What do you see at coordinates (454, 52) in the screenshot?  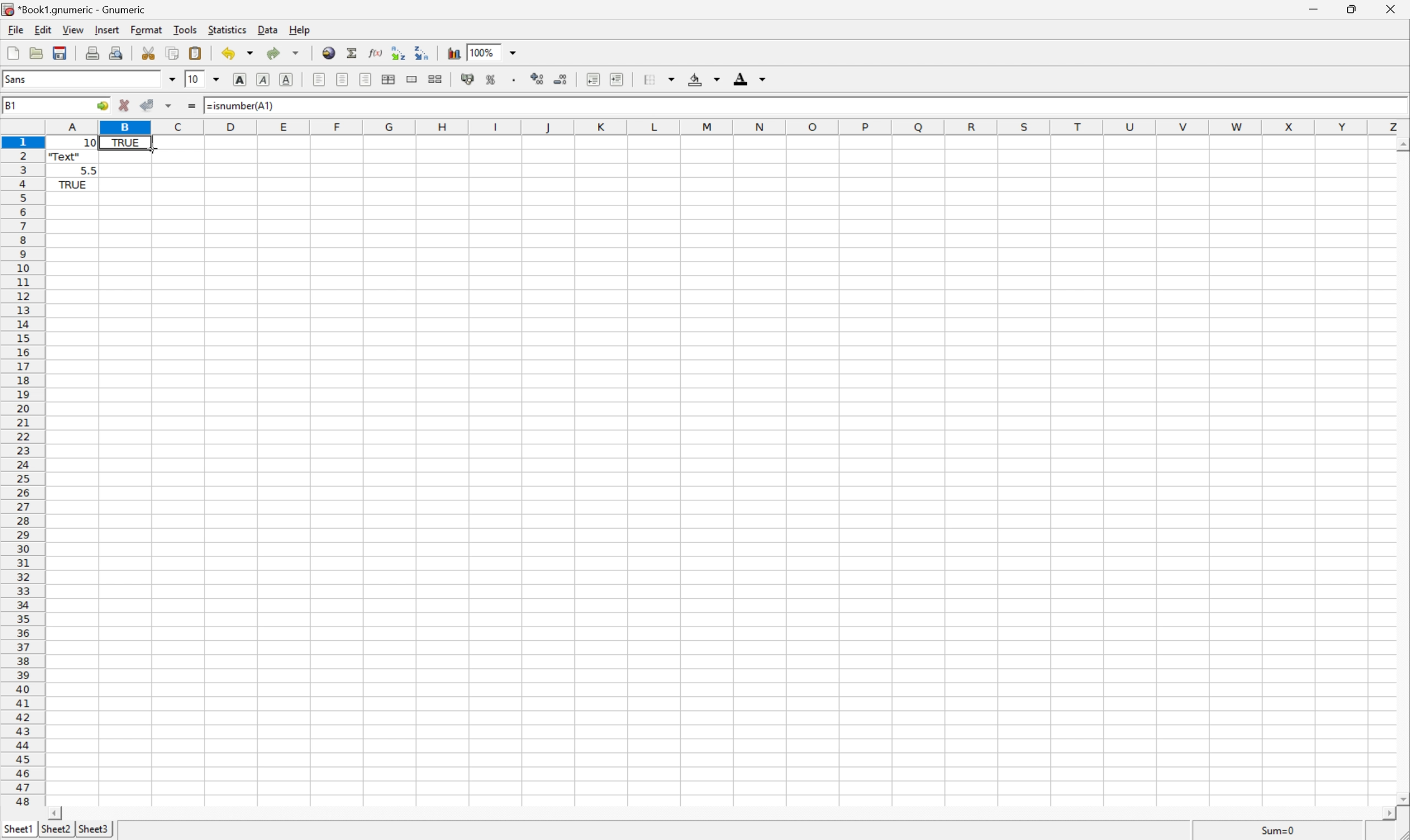 I see `Insert a chart` at bounding box center [454, 52].